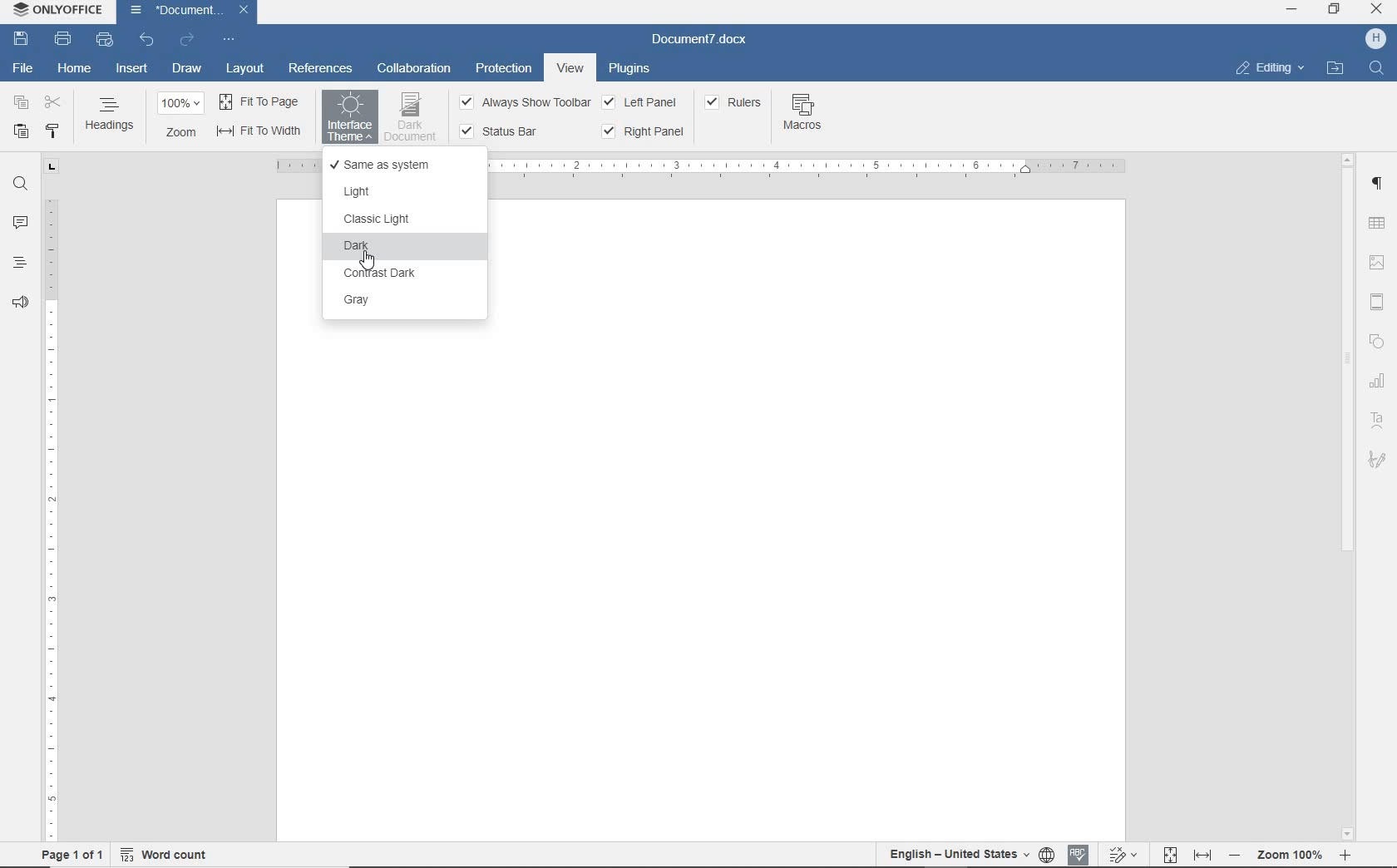 The height and width of the screenshot is (868, 1397). I want to click on RULERS, so click(734, 104).